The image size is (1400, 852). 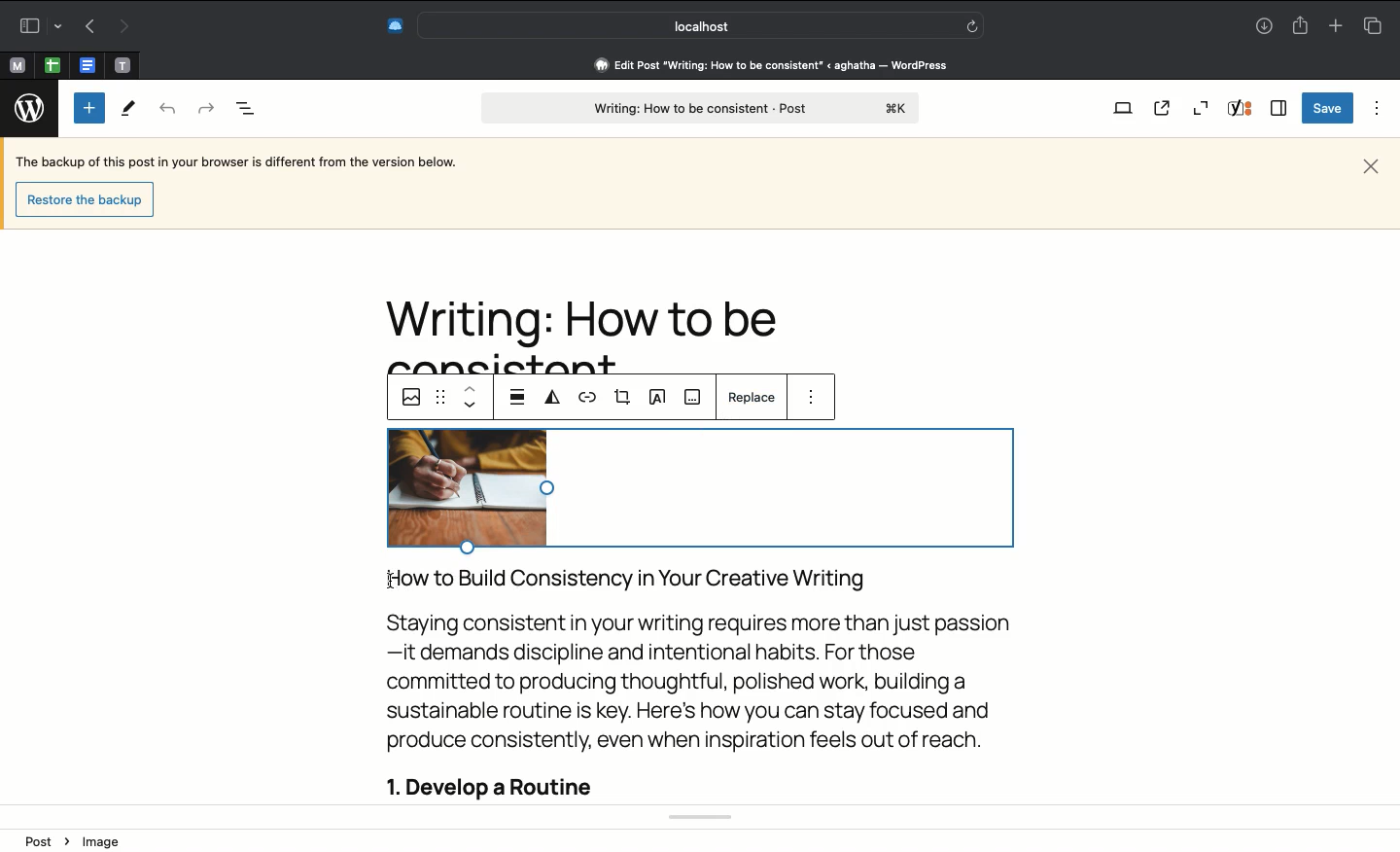 I want to click on Image, so click(x=469, y=487).